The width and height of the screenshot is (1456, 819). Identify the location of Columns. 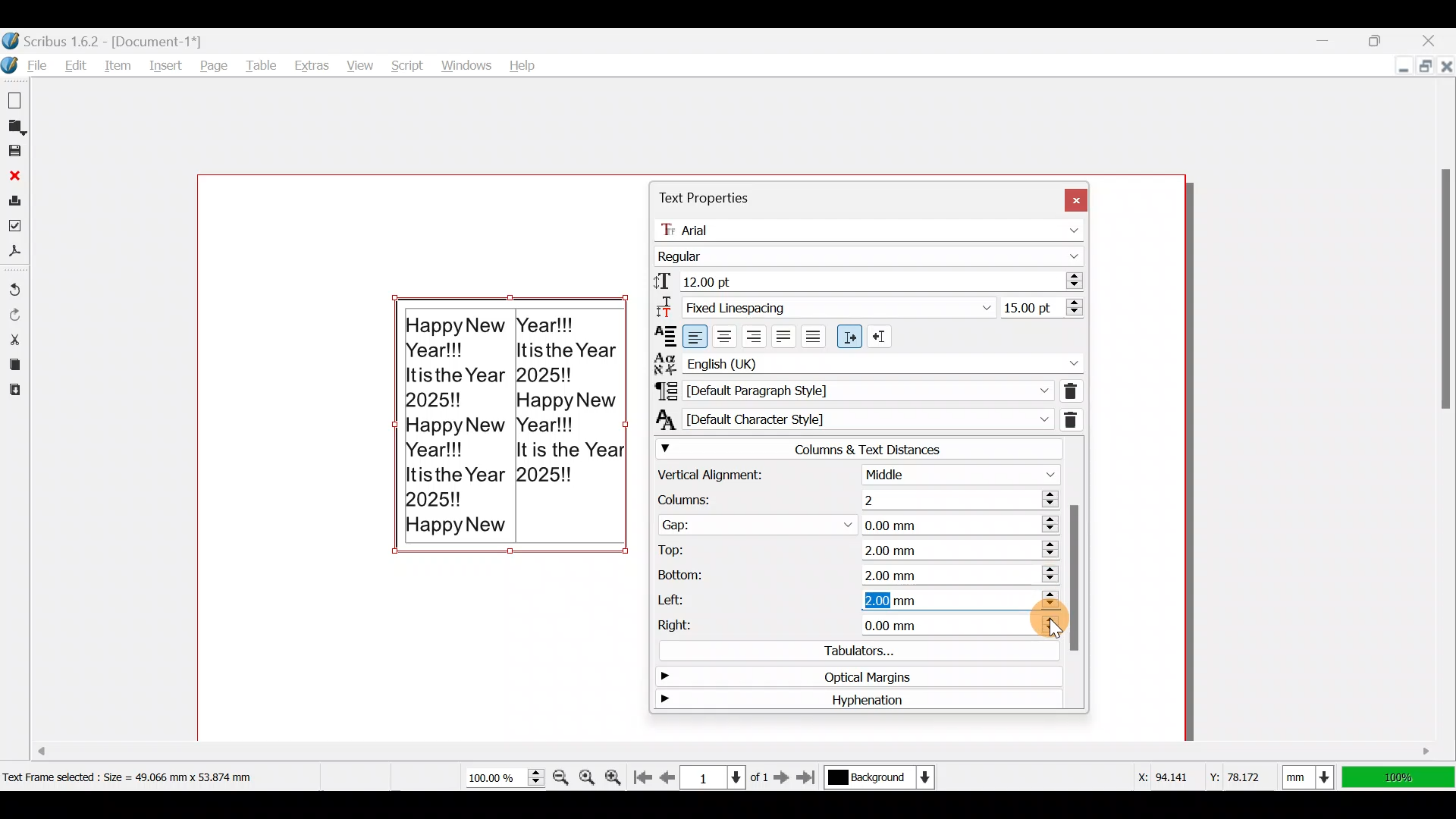
(850, 497).